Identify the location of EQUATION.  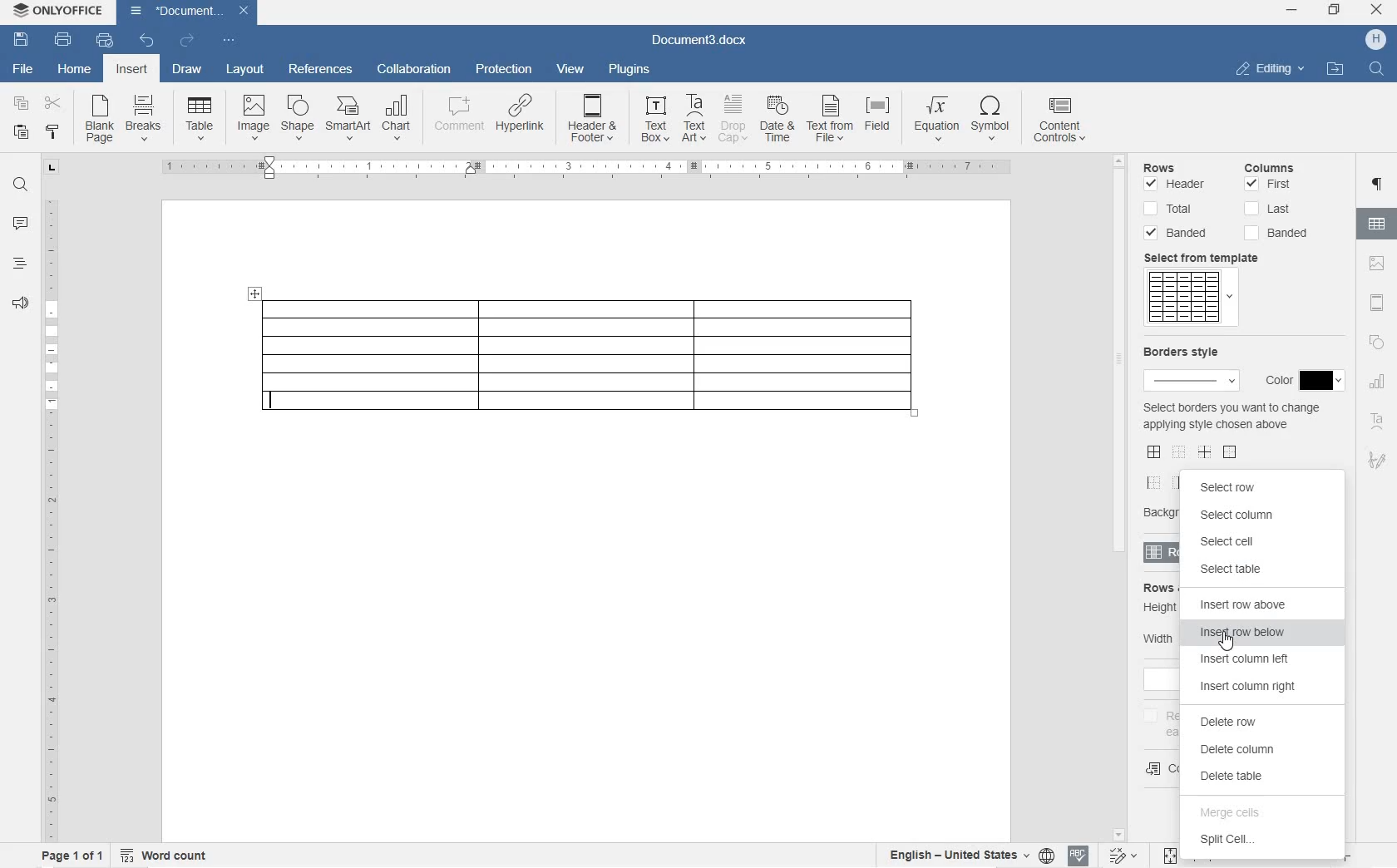
(936, 121).